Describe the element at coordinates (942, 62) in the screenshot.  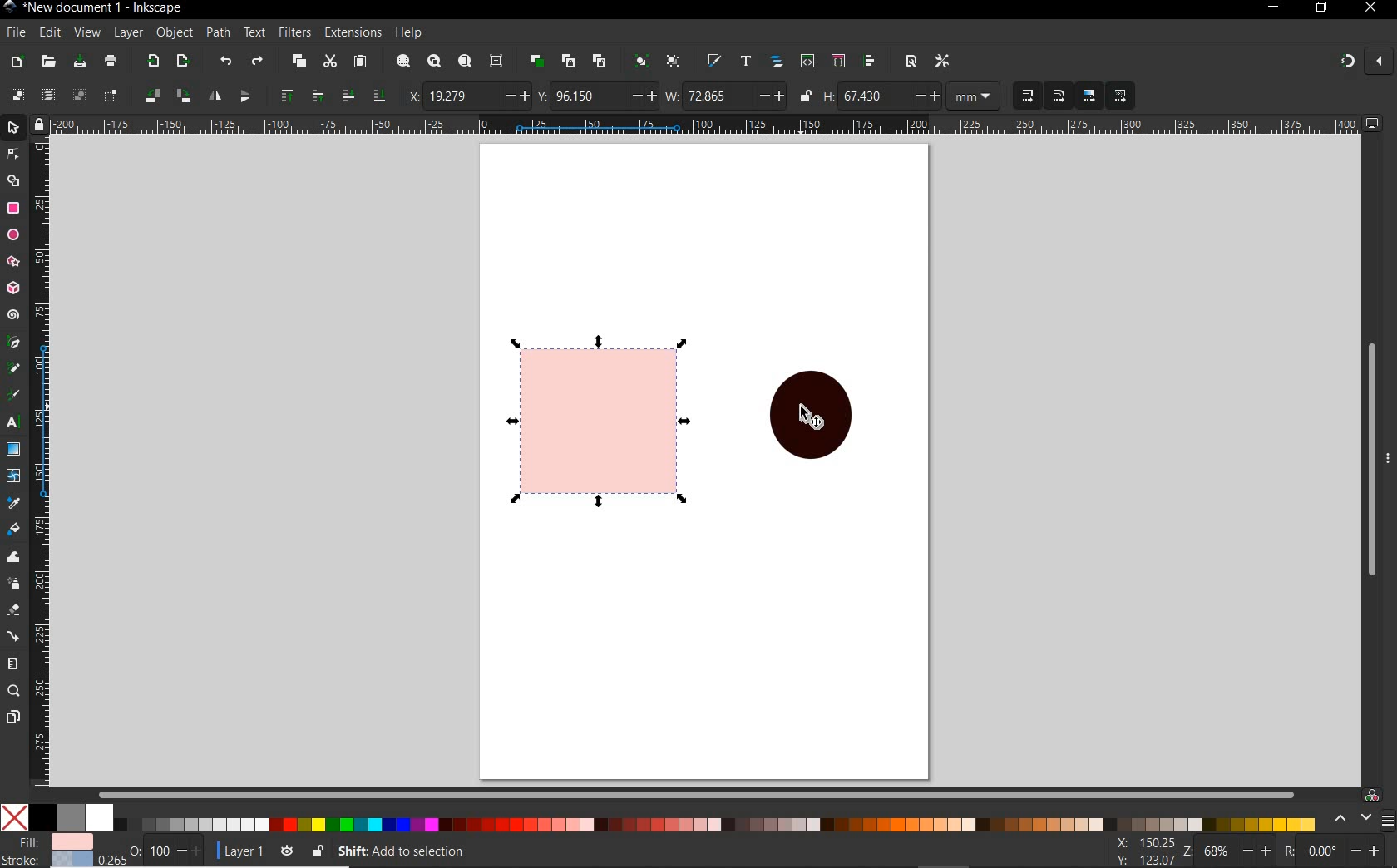
I see `open preferances` at that location.